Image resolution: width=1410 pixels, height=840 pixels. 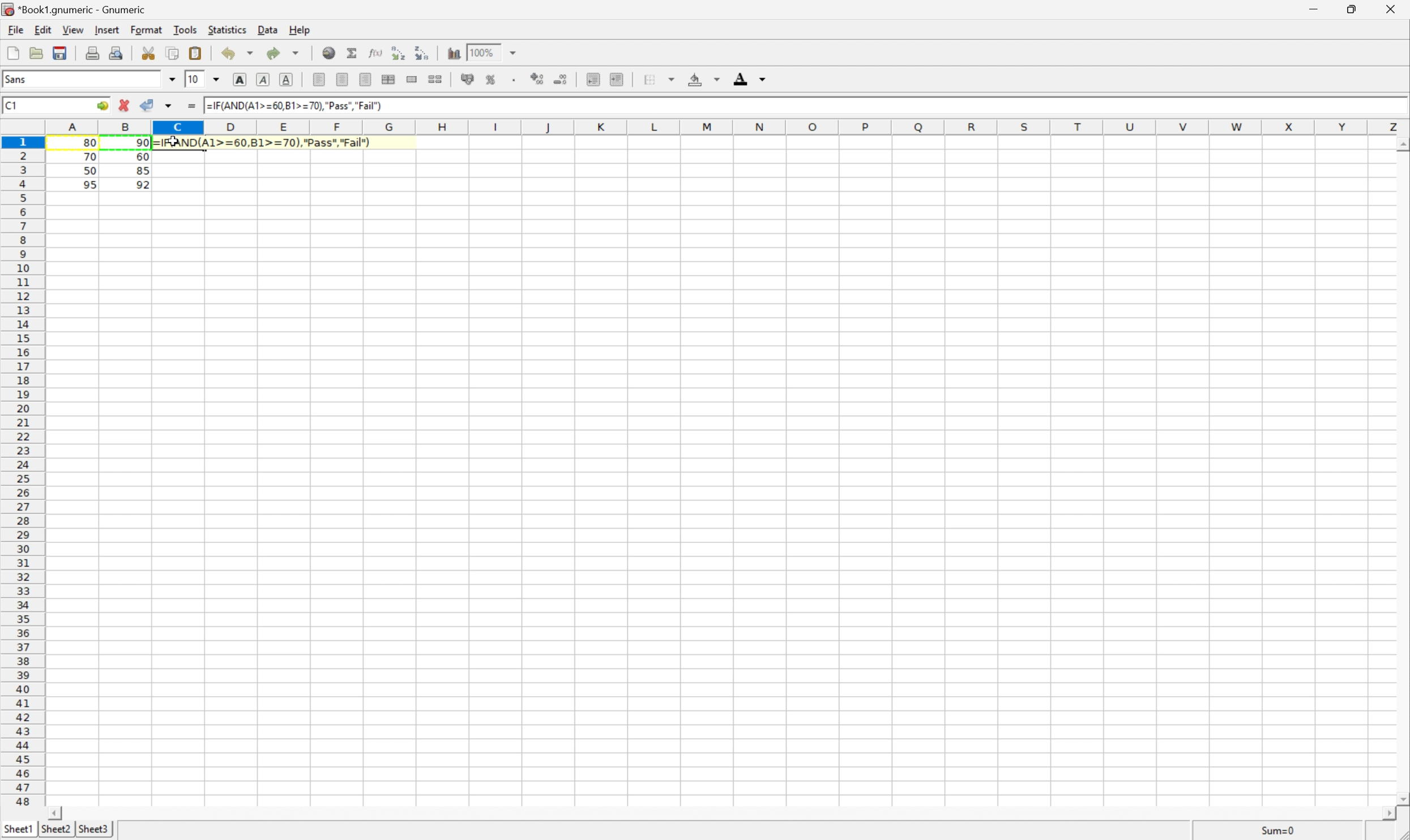 I want to click on Increase the number of decimals displayed, so click(x=539, y=79).